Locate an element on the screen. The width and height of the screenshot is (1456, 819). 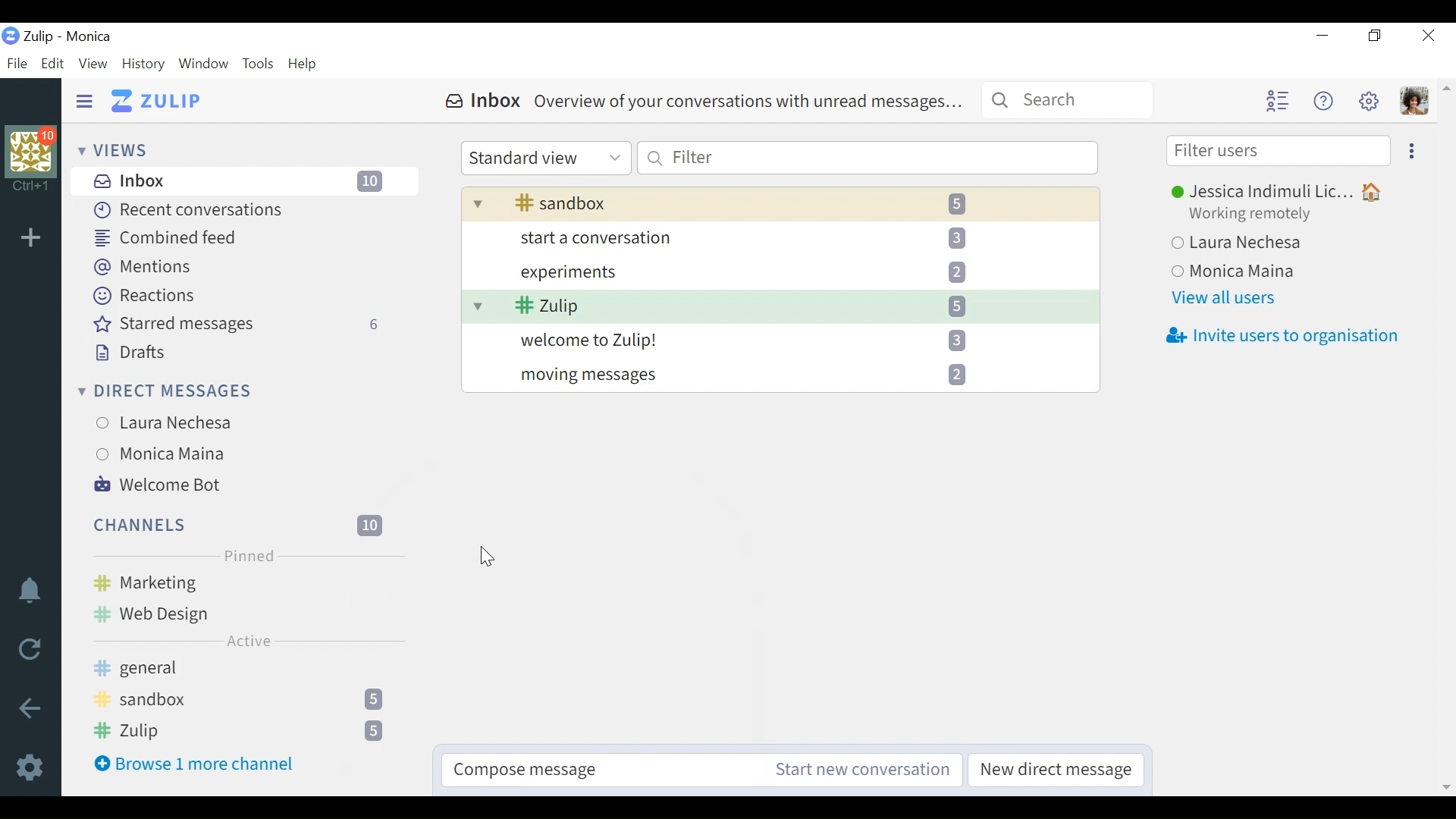
Views is located at coordinates (113, 149).